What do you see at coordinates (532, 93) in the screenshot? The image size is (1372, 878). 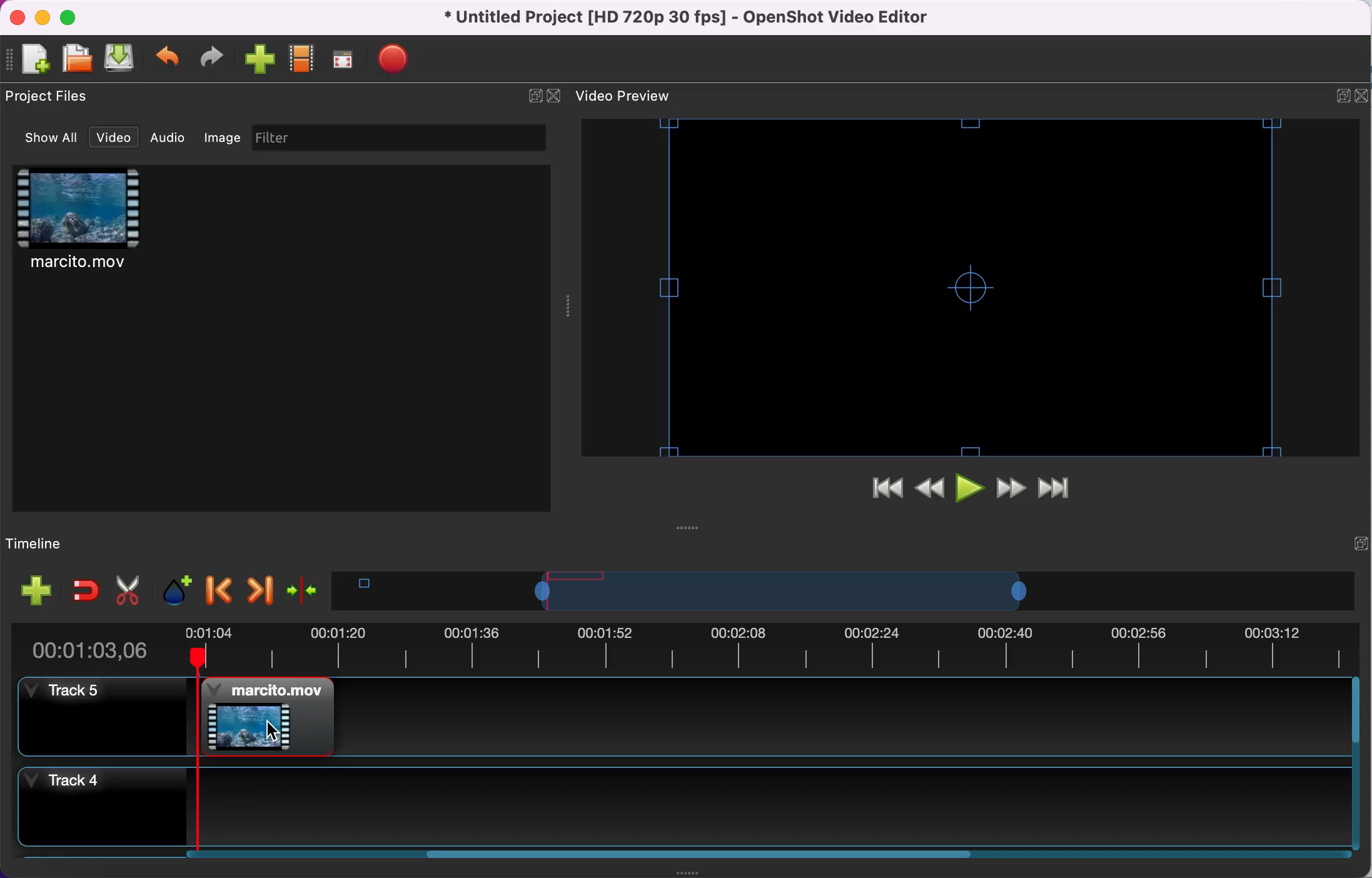 I see `expand/hide` at bounding box center [532, 93].